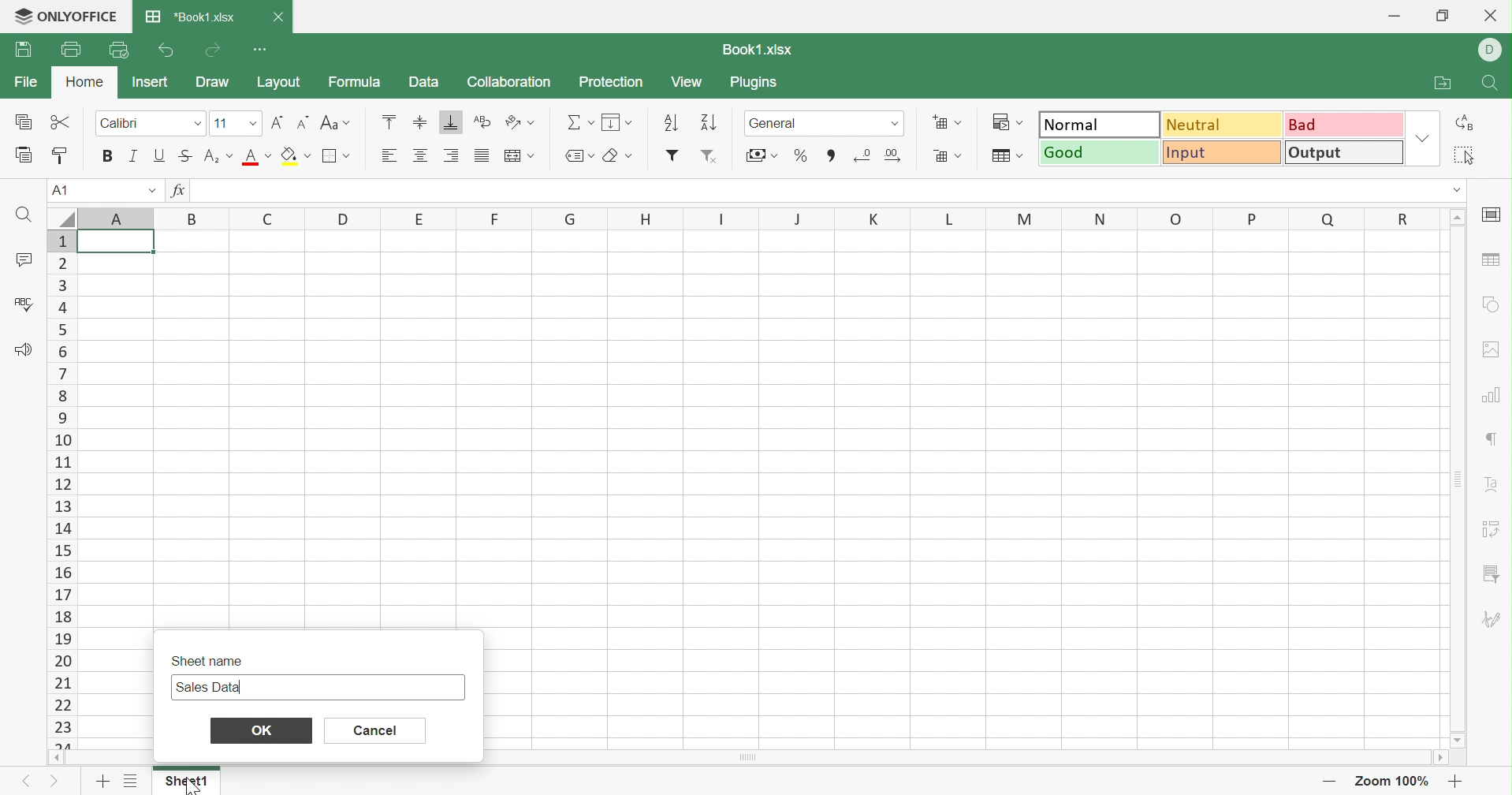  Describe the element at coordinates (450, 121) in the screenshot. I see `Align Bottom` at that location.